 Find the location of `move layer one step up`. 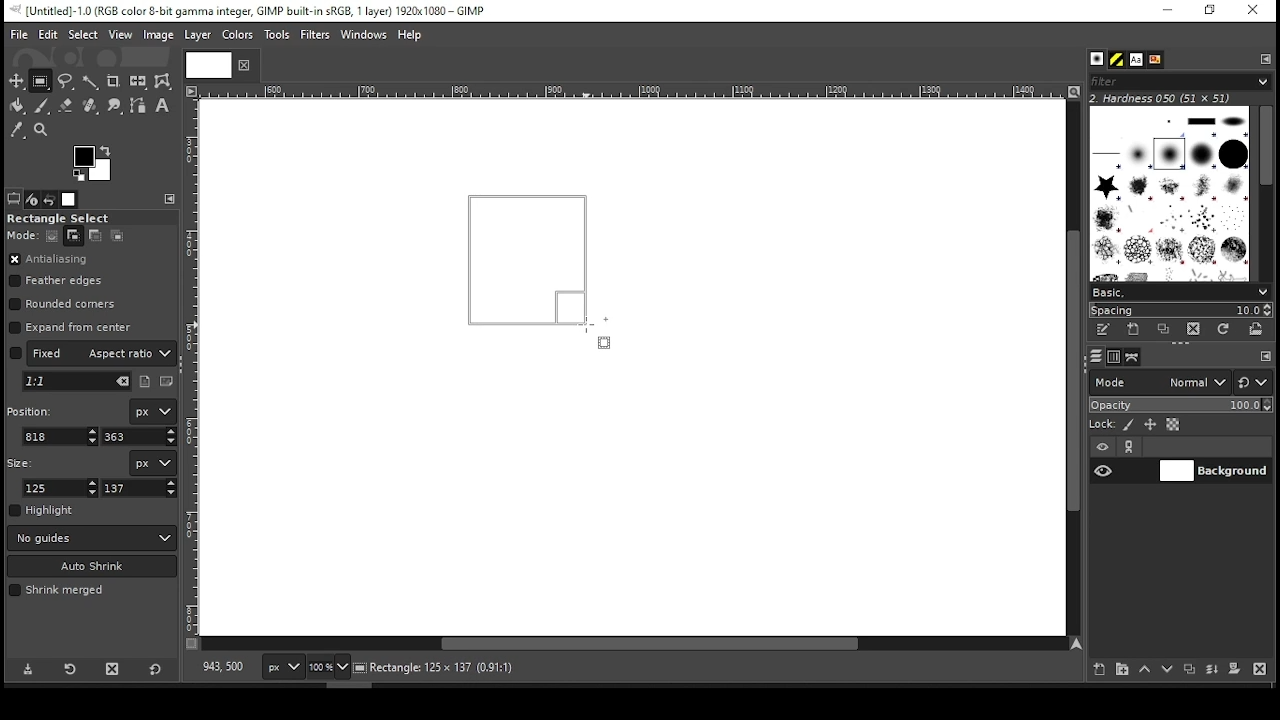

move layer one step up is located at coordinates (1145, 671).